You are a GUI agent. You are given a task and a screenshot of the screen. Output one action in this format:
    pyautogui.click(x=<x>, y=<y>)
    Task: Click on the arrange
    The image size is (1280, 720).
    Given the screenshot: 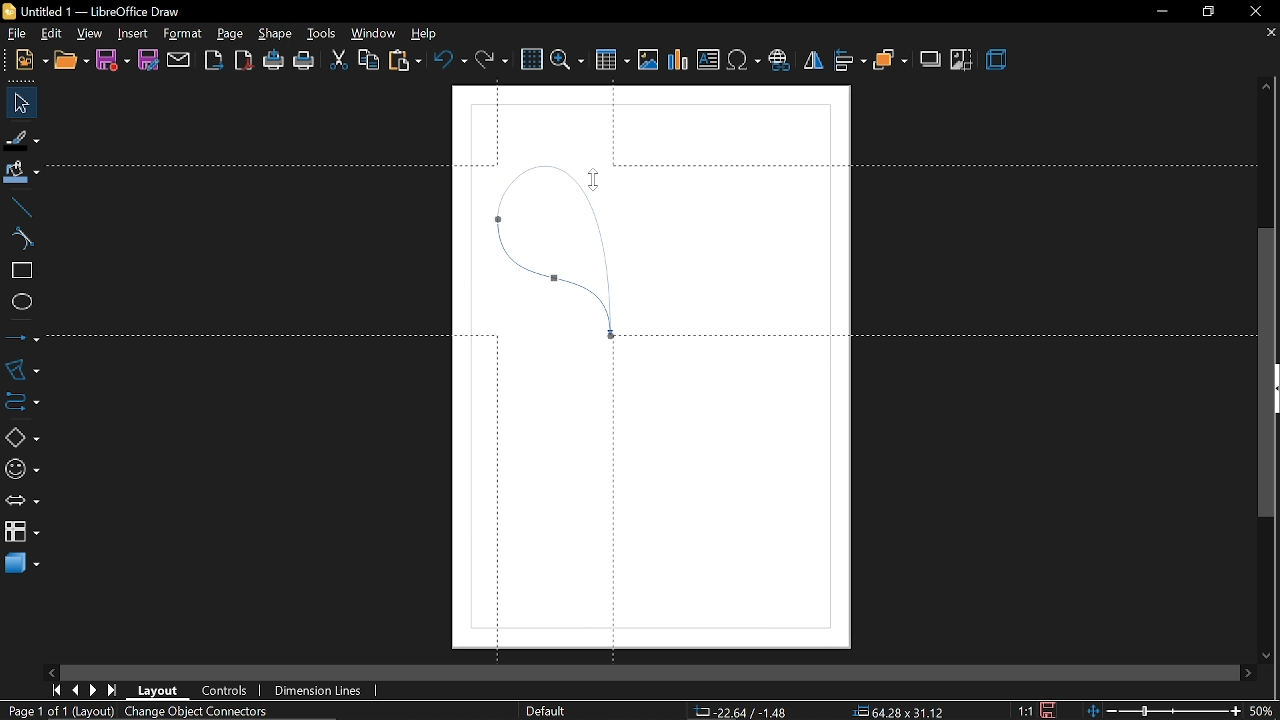 What is the action you would take?
    pyautogui.click(x=890, y=60)
    